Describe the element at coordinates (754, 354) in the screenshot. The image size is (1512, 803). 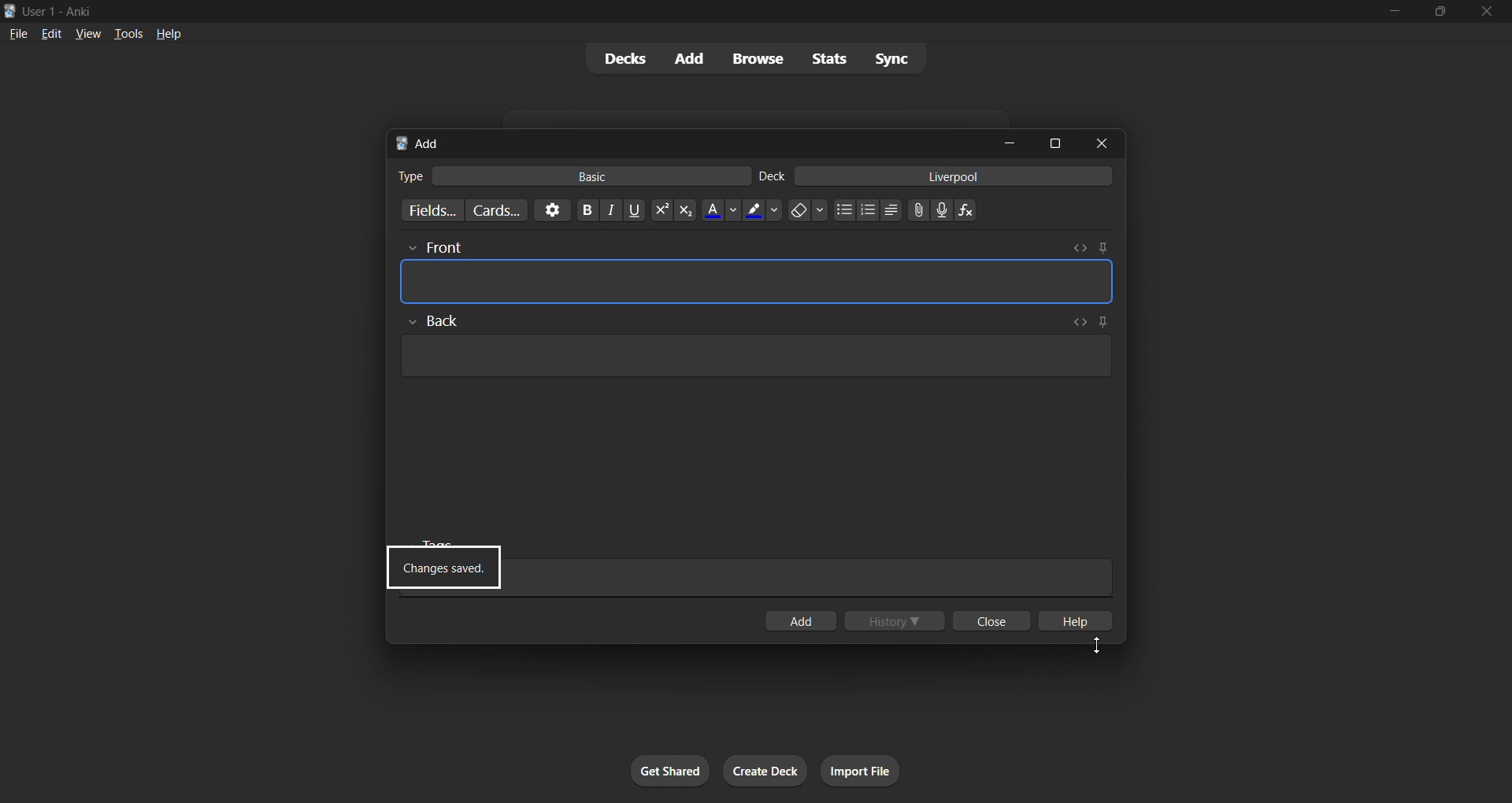
I see `back field` at that location.